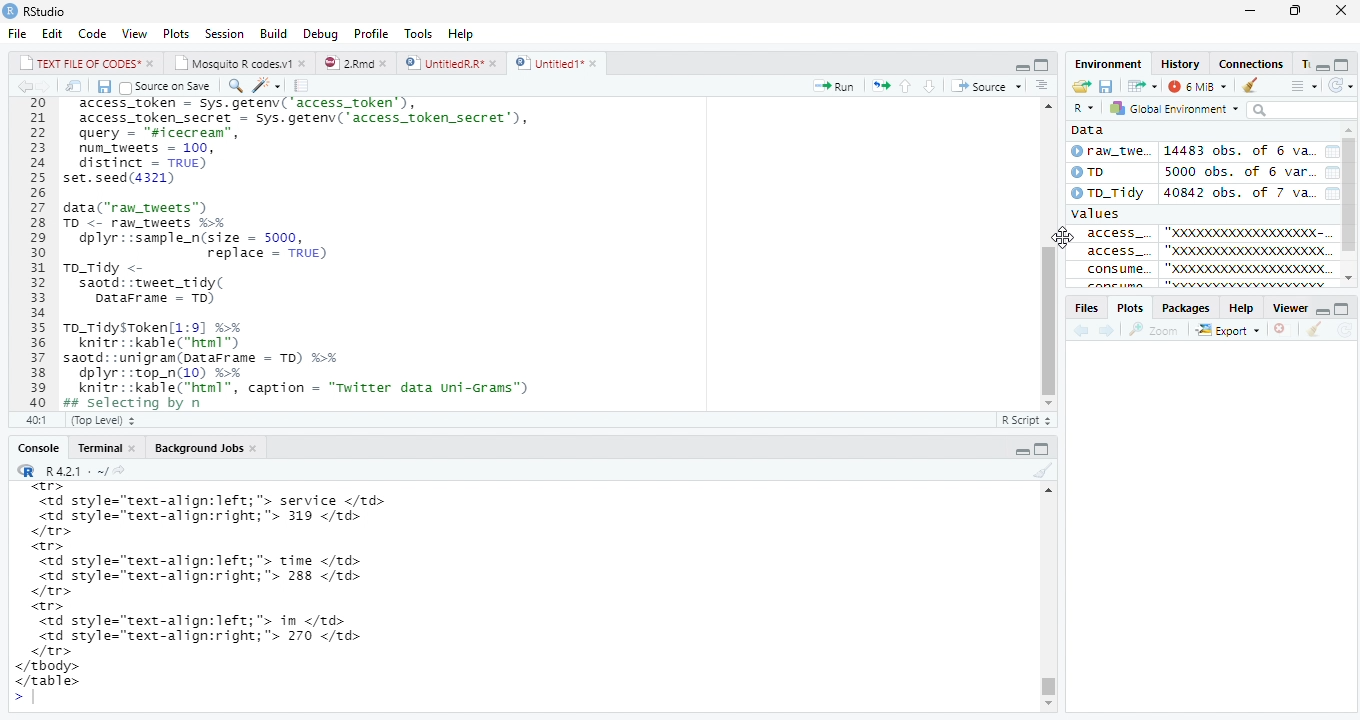 The image size is (1360, 720). I want to click on Files., so click(1085, 307).